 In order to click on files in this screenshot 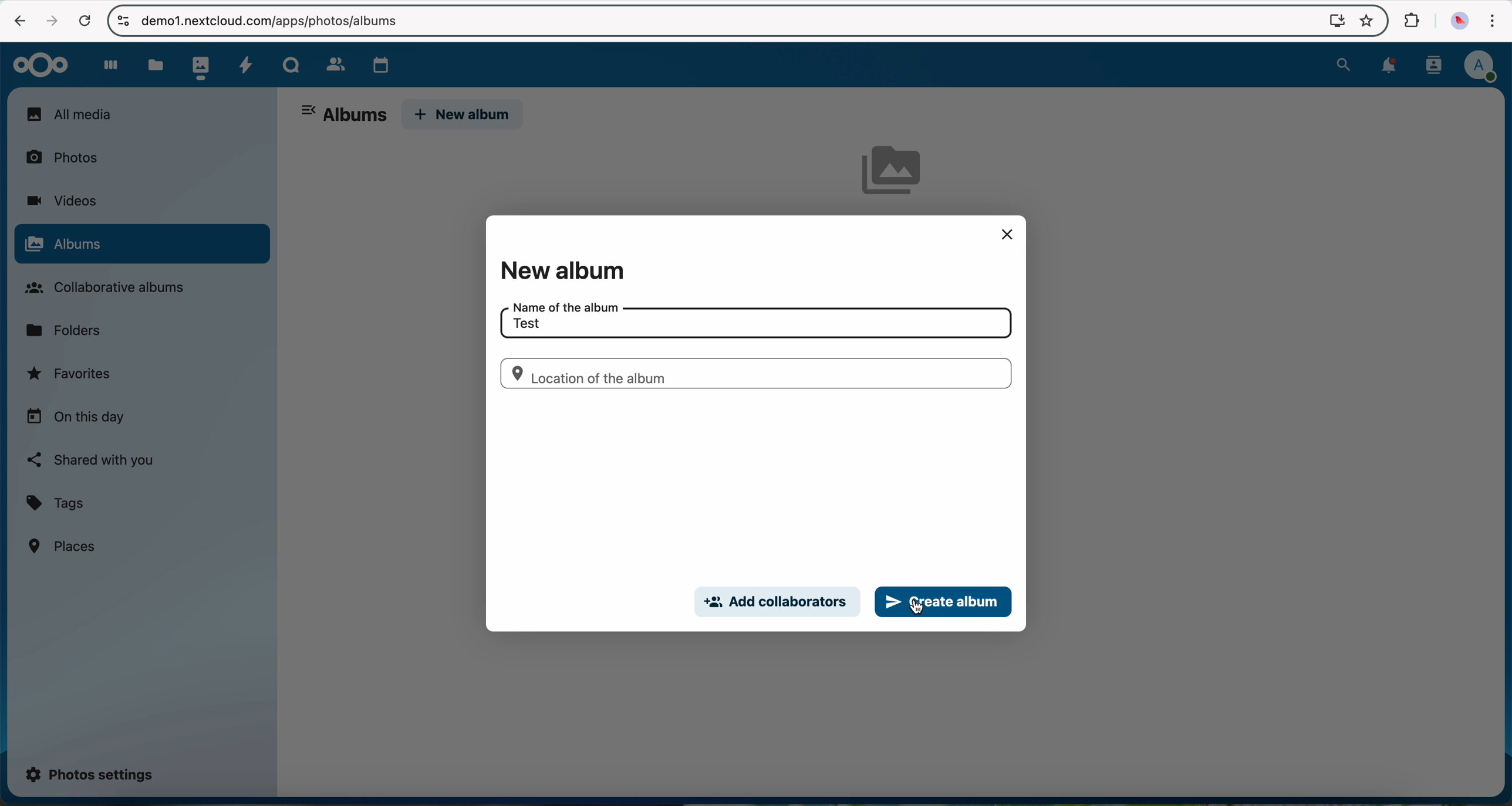, I will do `click(154, 65)`.